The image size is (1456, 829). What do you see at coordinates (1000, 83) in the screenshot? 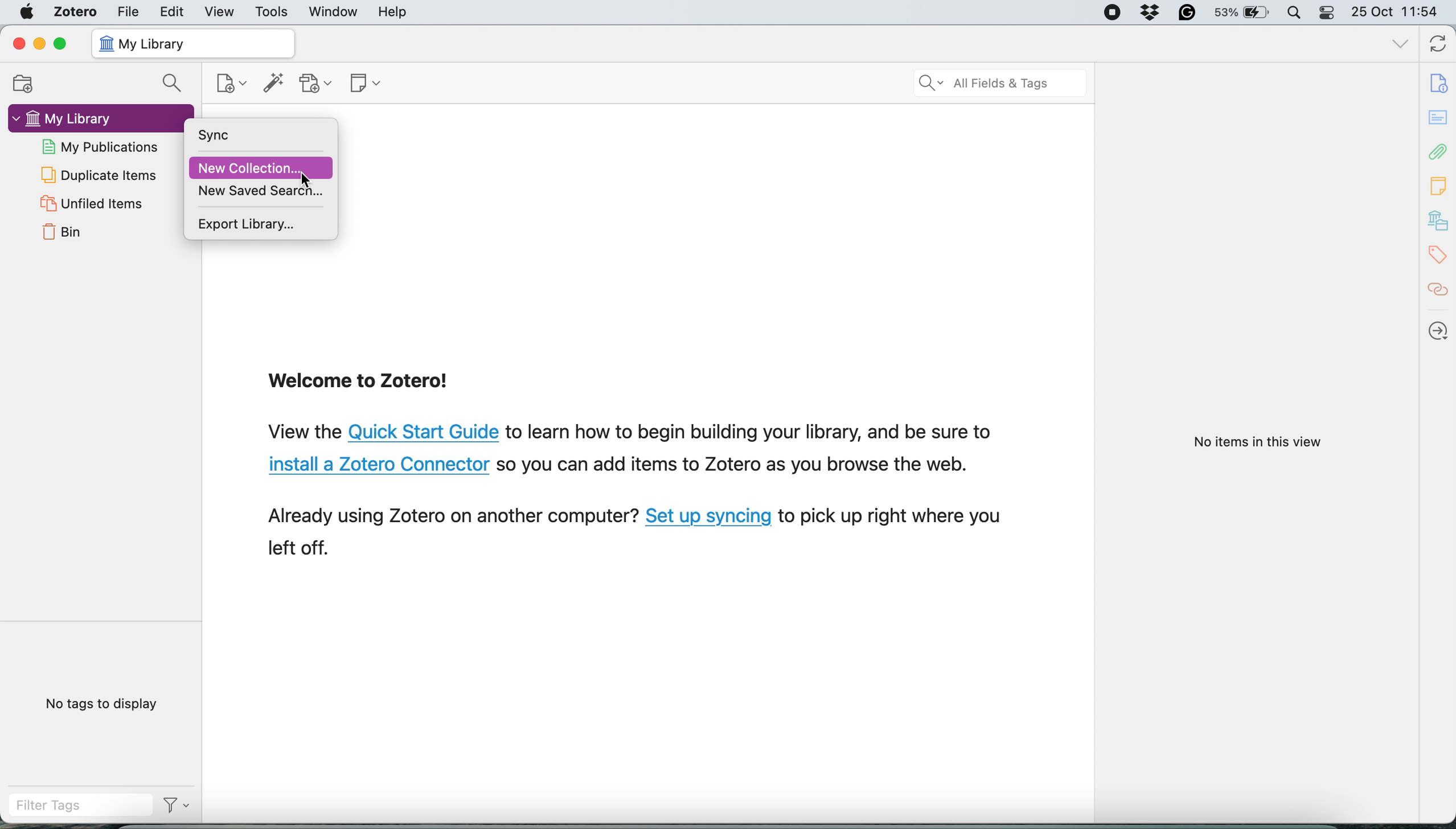
I see `search` at bounding box center [1000, 83].